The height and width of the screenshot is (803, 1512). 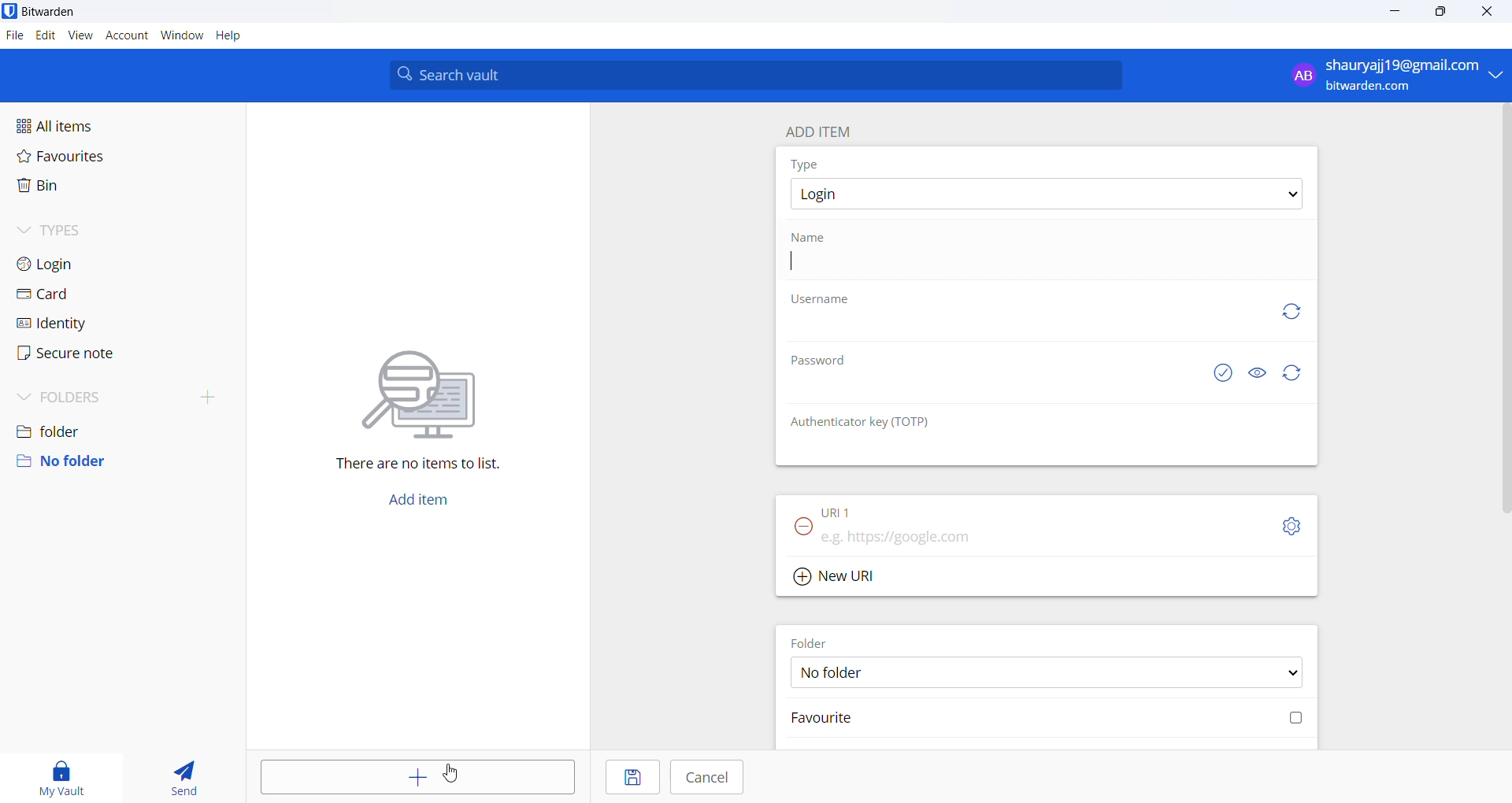 What do you see at coordinates (62, 774) in the screenshot?
I see `my vault` at bounding box center [62, 774].